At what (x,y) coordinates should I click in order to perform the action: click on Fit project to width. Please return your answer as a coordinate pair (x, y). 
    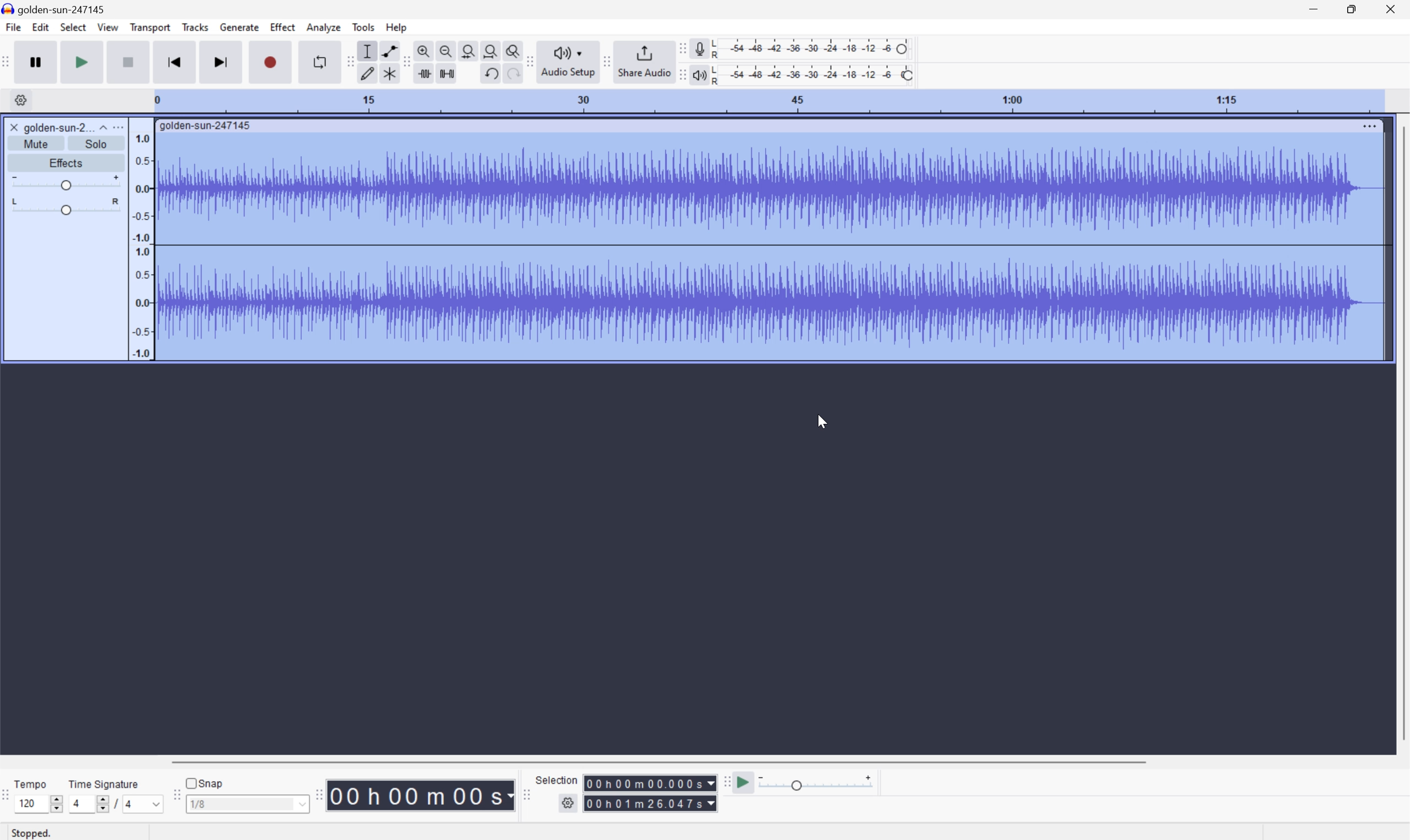
    Looking at the image, I should click on (491, 51).